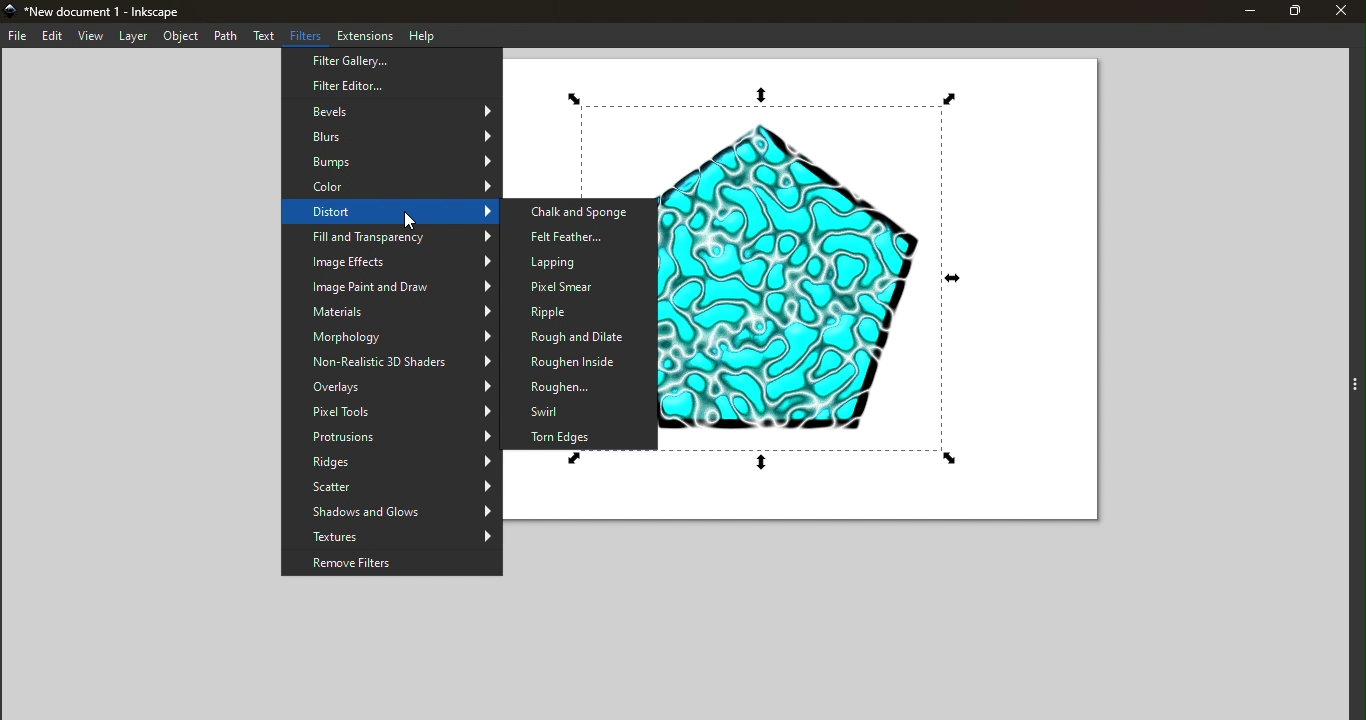 This screenshot has height=720, width=1366. Describe the element at coordinates (390, 186) in the screenshot. I see `Color` at that location.